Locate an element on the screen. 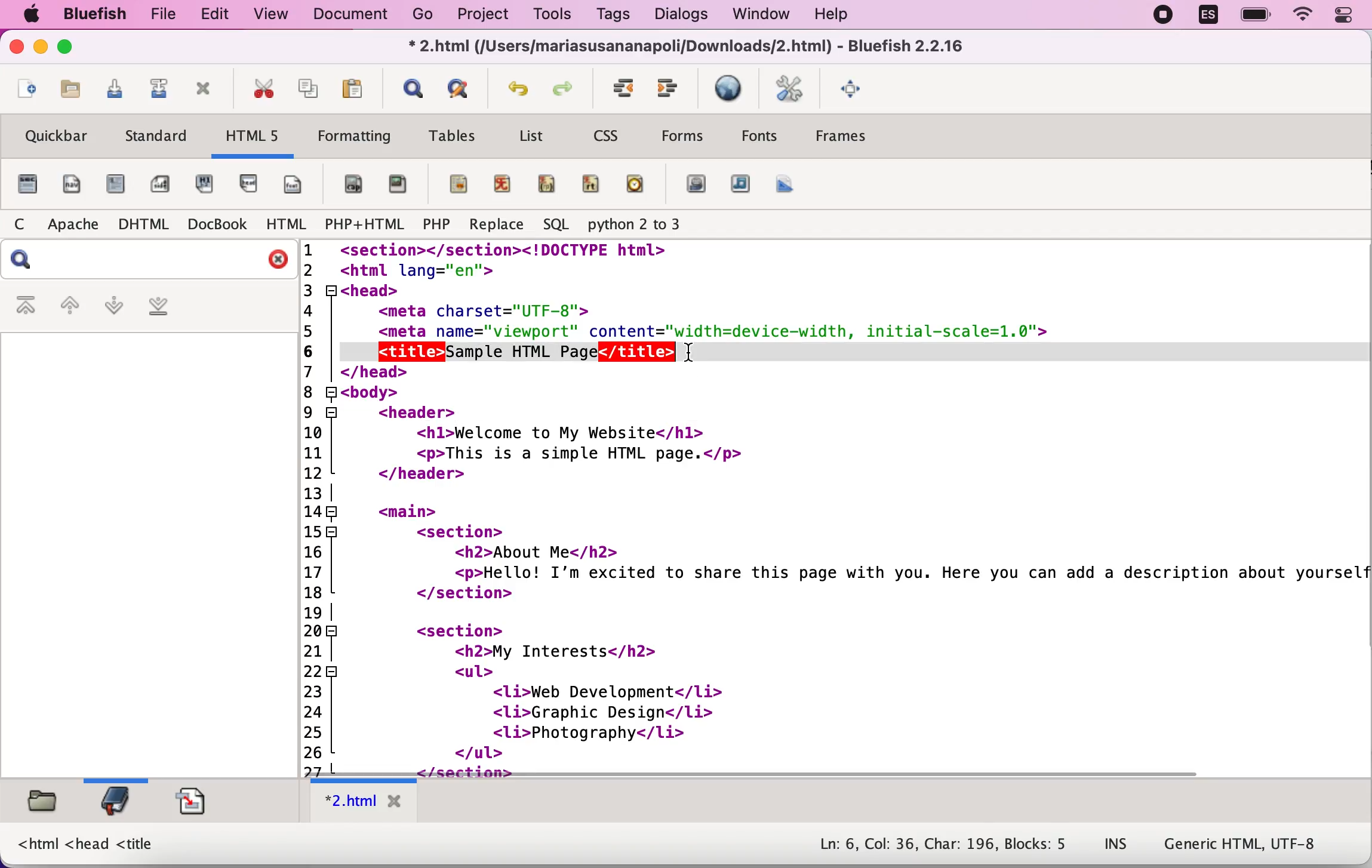 The height and width of the screenshot is (868, 1372). advanced find and replace is located at coordinates (463, 88).